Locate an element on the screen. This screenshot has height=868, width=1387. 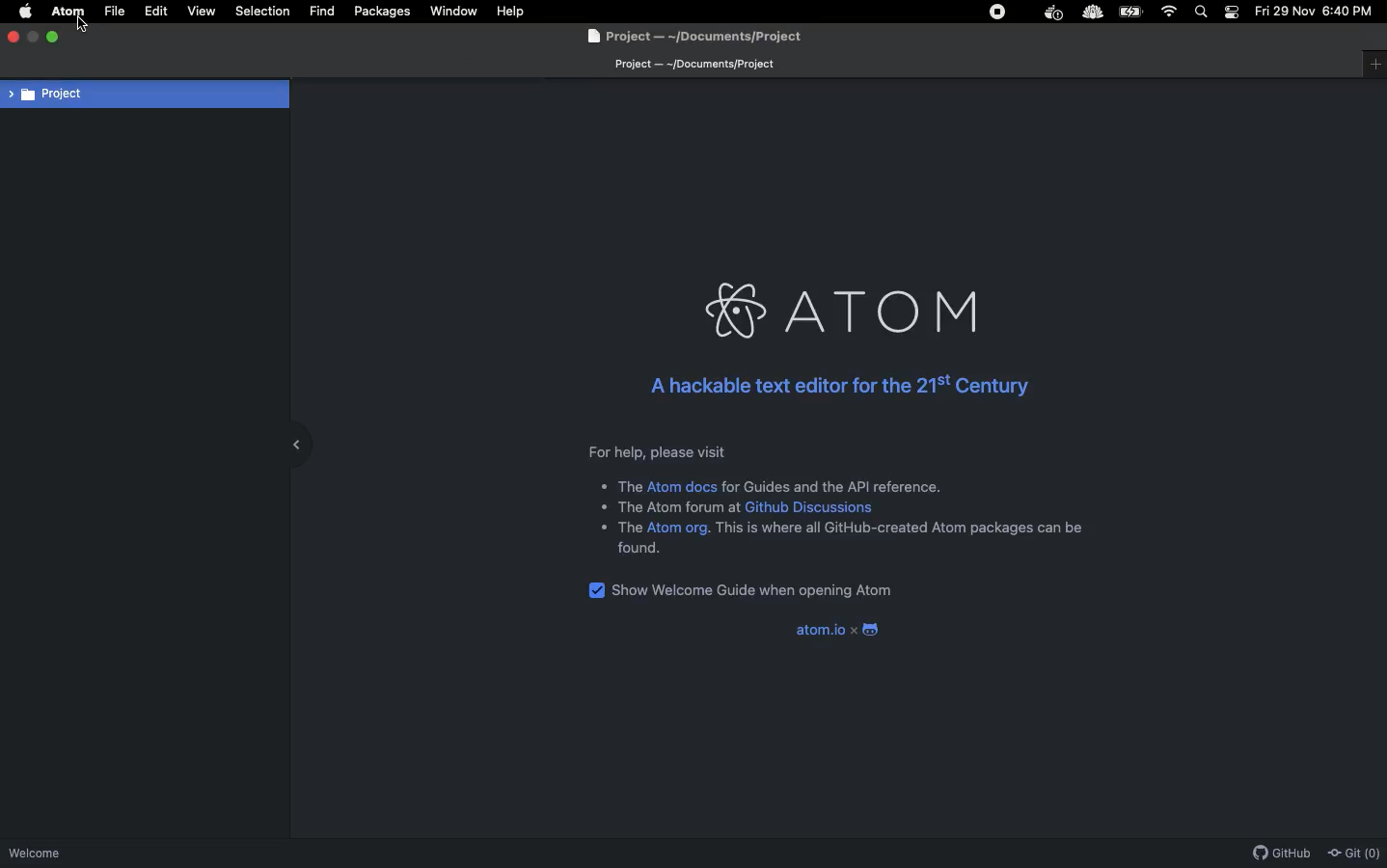
Bullets is located at coordinates (600, 506).